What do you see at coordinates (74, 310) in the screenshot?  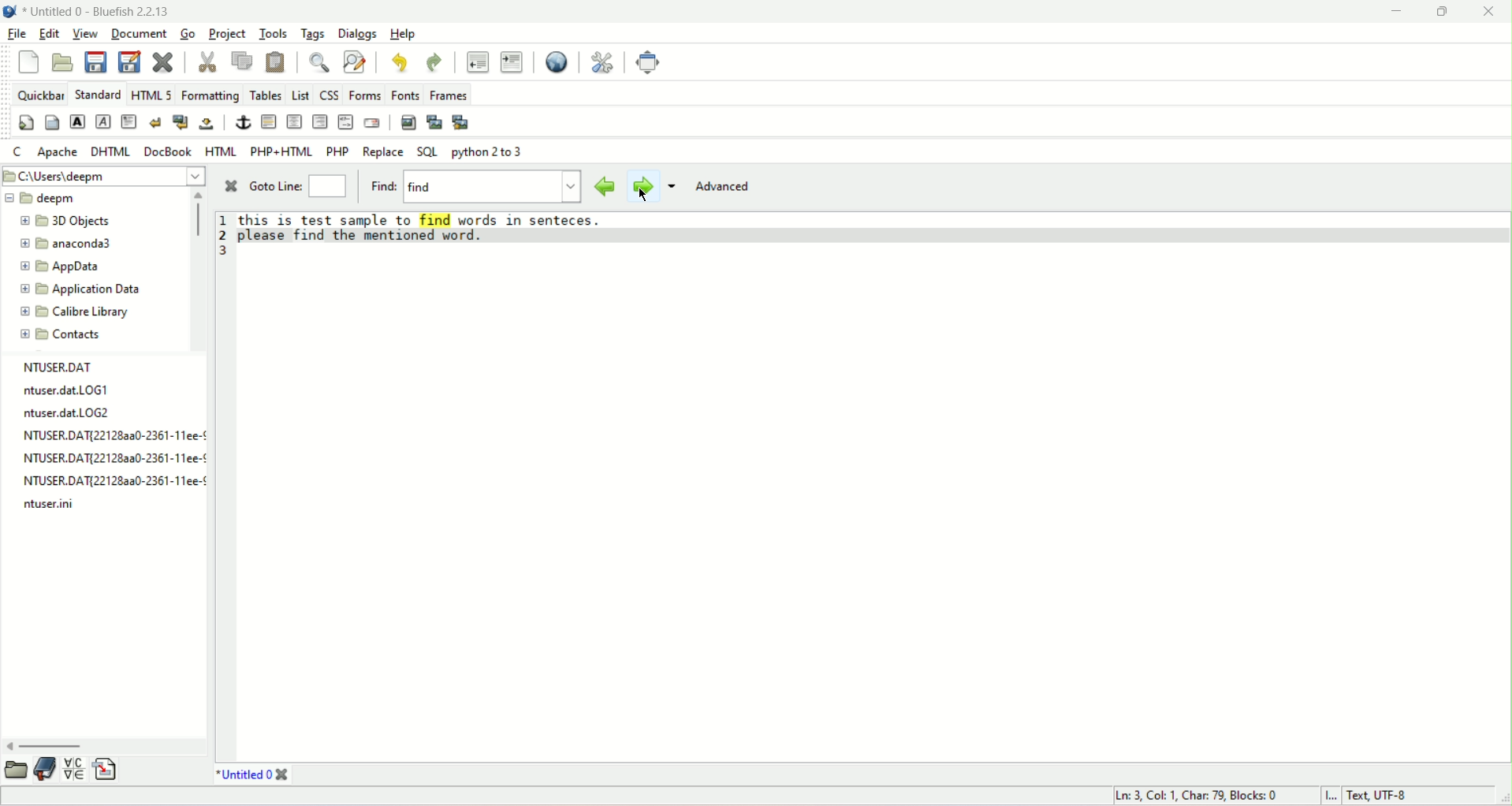 I see `calibre library` at bounding box center [74, 310].